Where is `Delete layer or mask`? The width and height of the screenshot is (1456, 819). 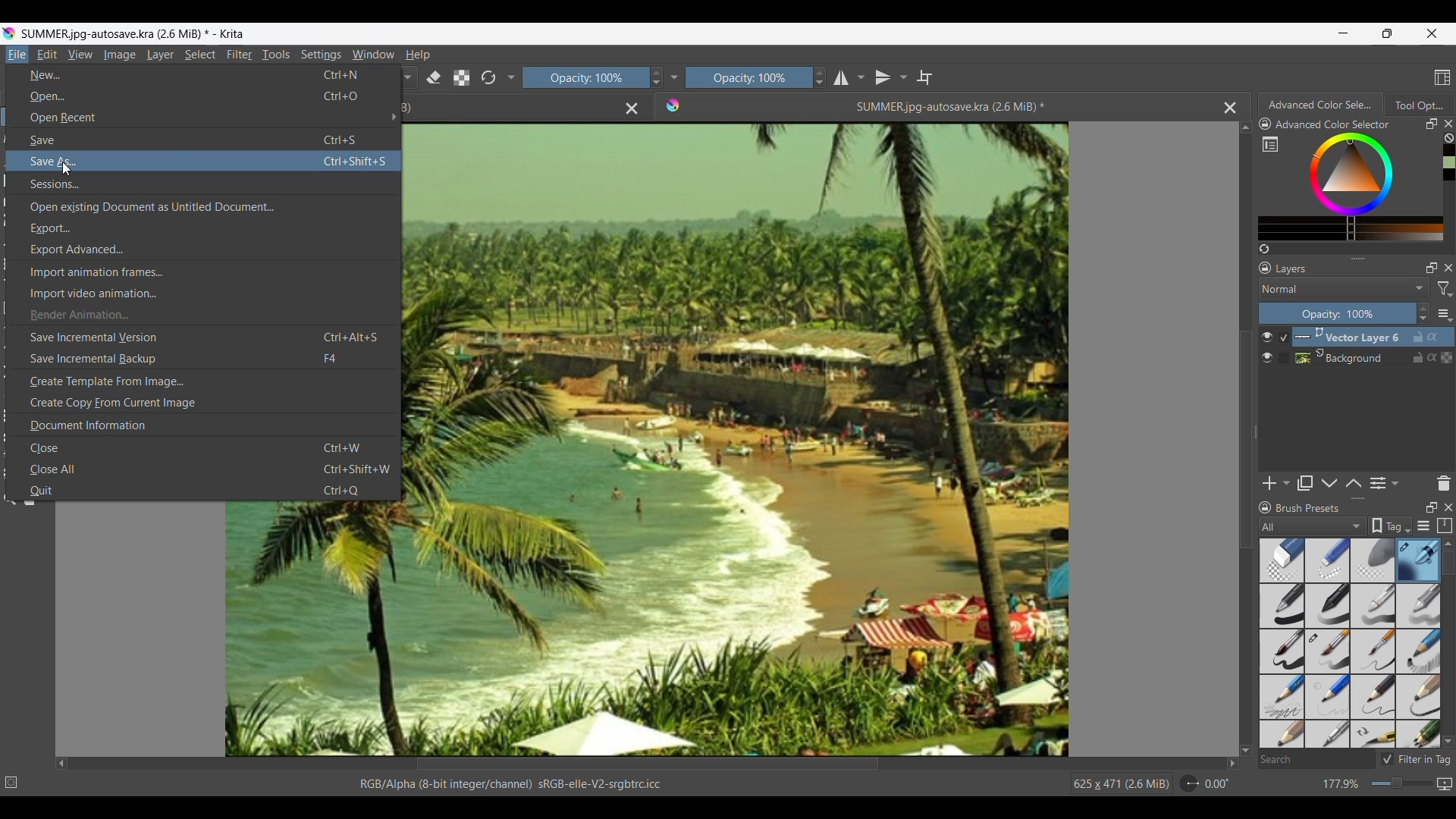 Delete layer or mask is located at coordinates (1443, 484).